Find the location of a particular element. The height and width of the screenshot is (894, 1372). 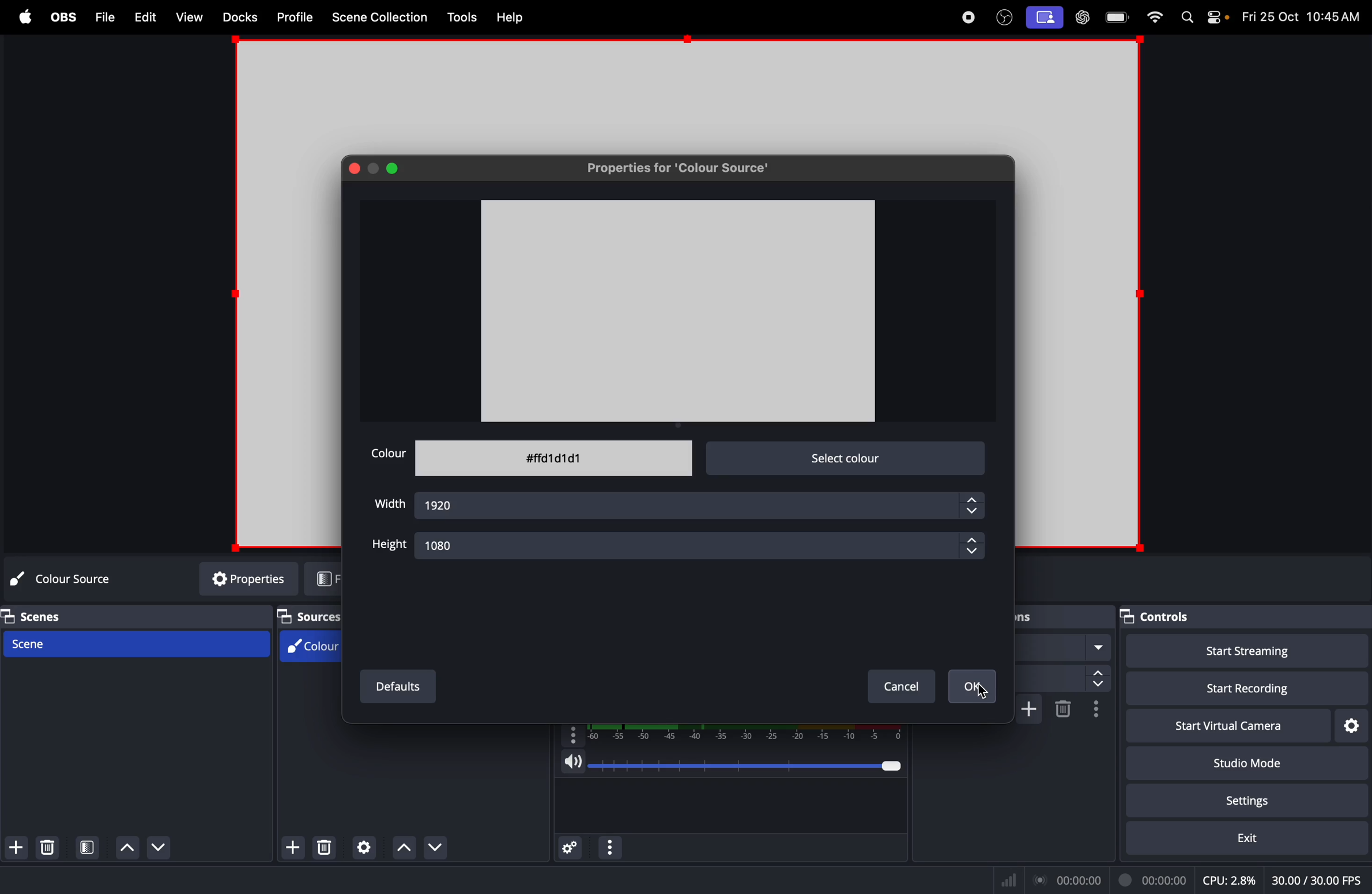

record is located at coordinates (967, 18).